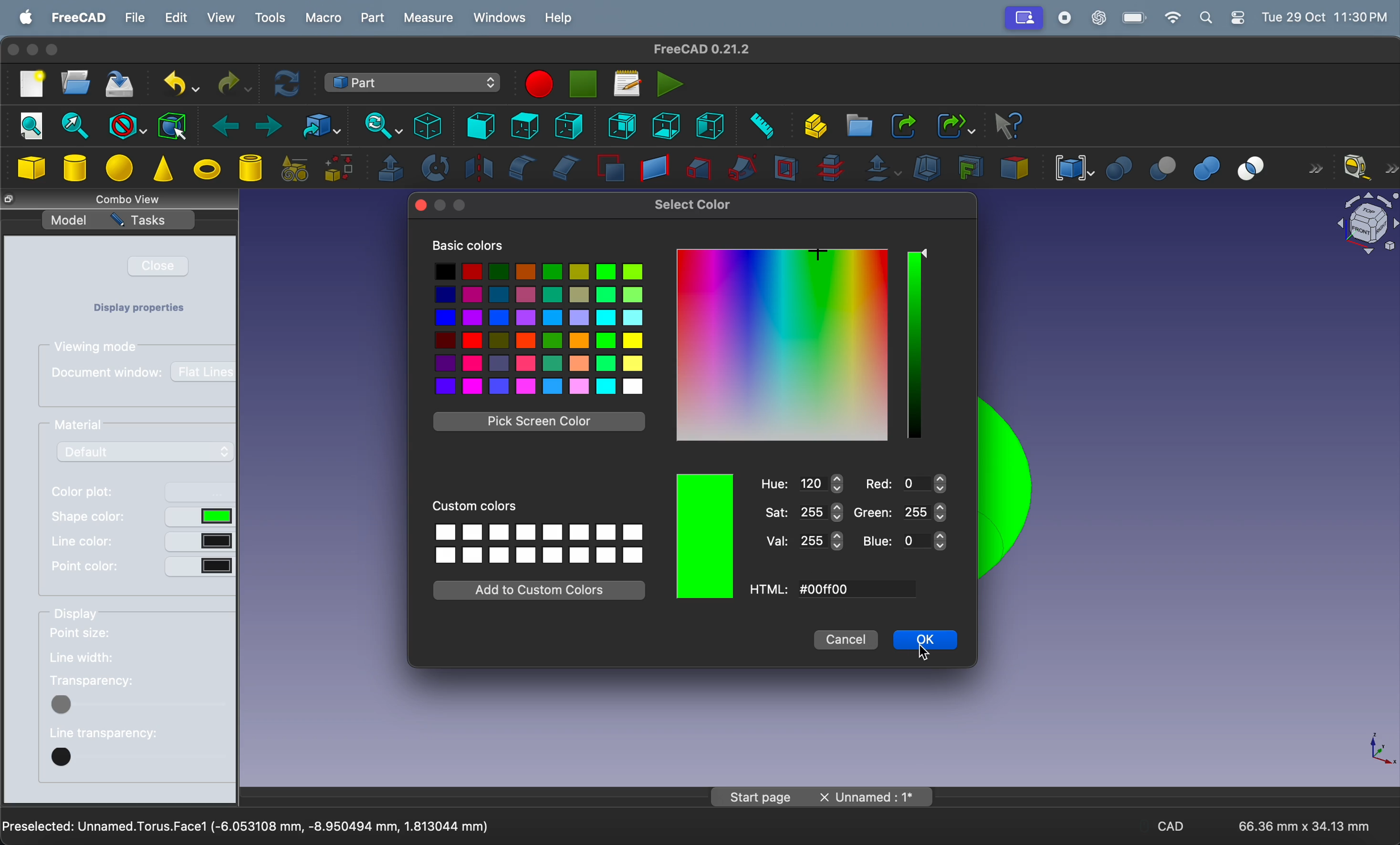 This screenshot has width=1400, height=845. What do you see at coordinates (670, 83) in the screenshot?
I see `execute marcos` at bounding box center [670, 83].